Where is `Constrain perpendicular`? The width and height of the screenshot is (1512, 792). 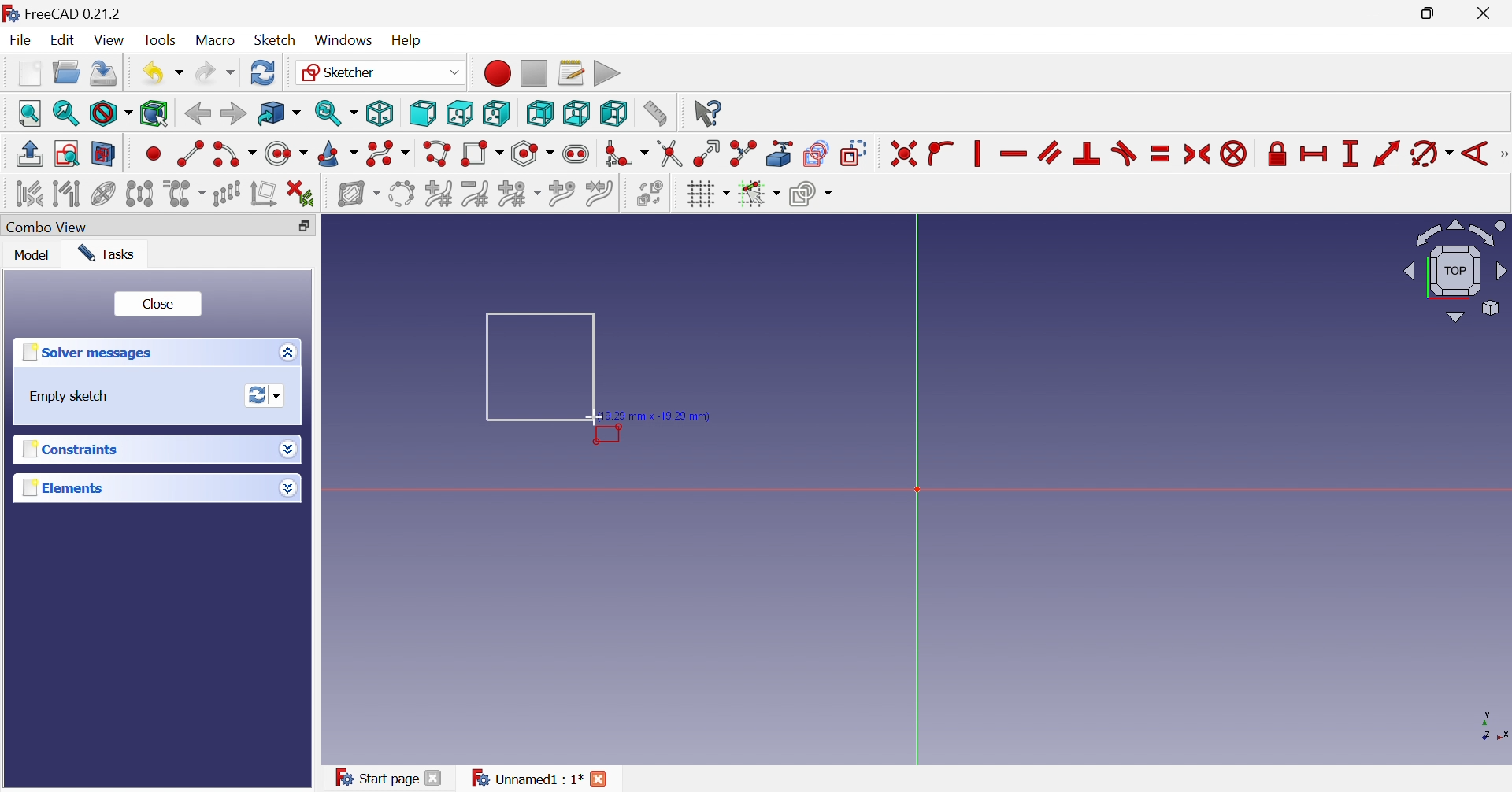
Constrain perpendicular is located at coordinates (1088, 153).